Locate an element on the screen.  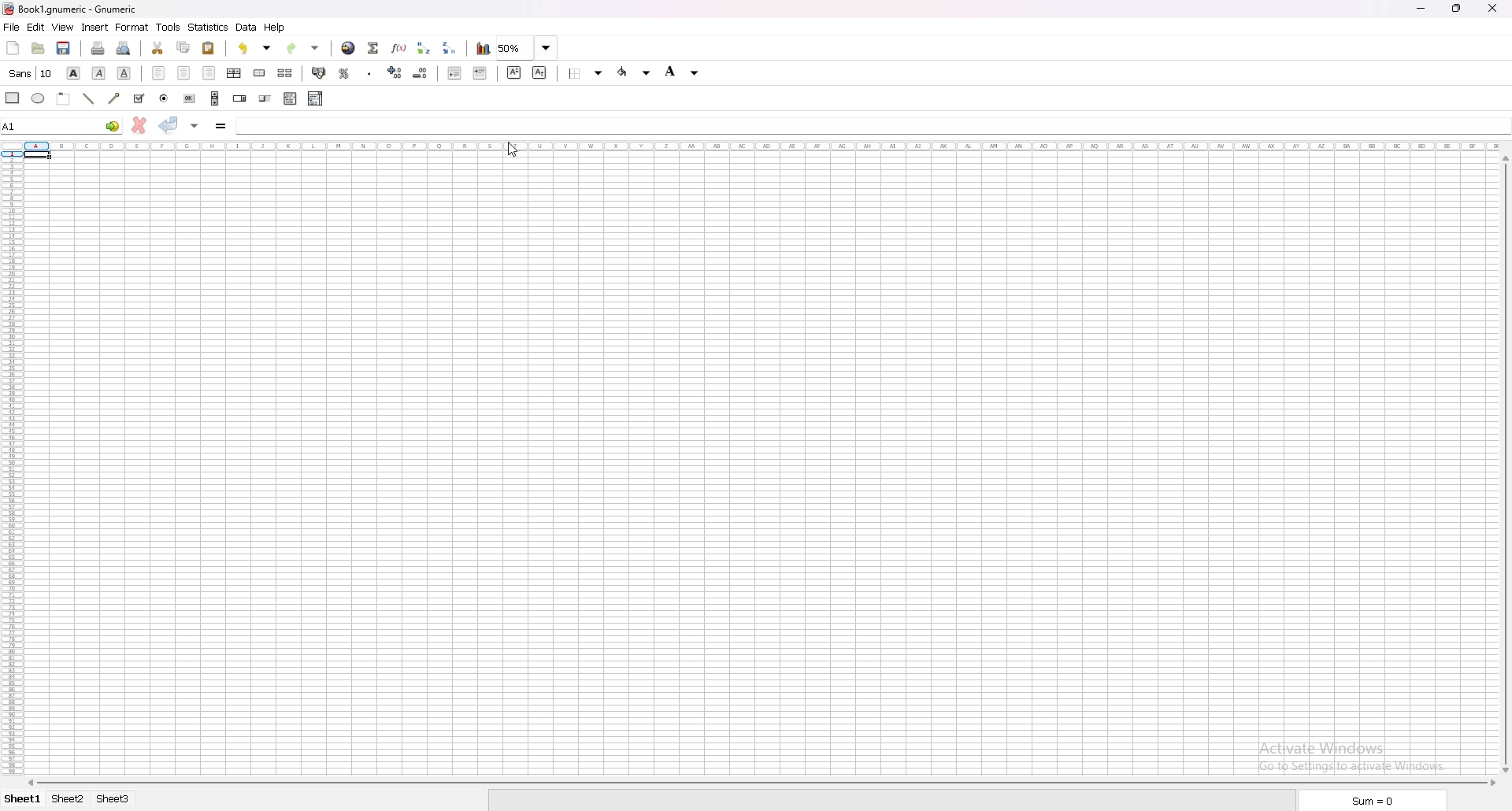
combo box is located at coordinates (316, 98).